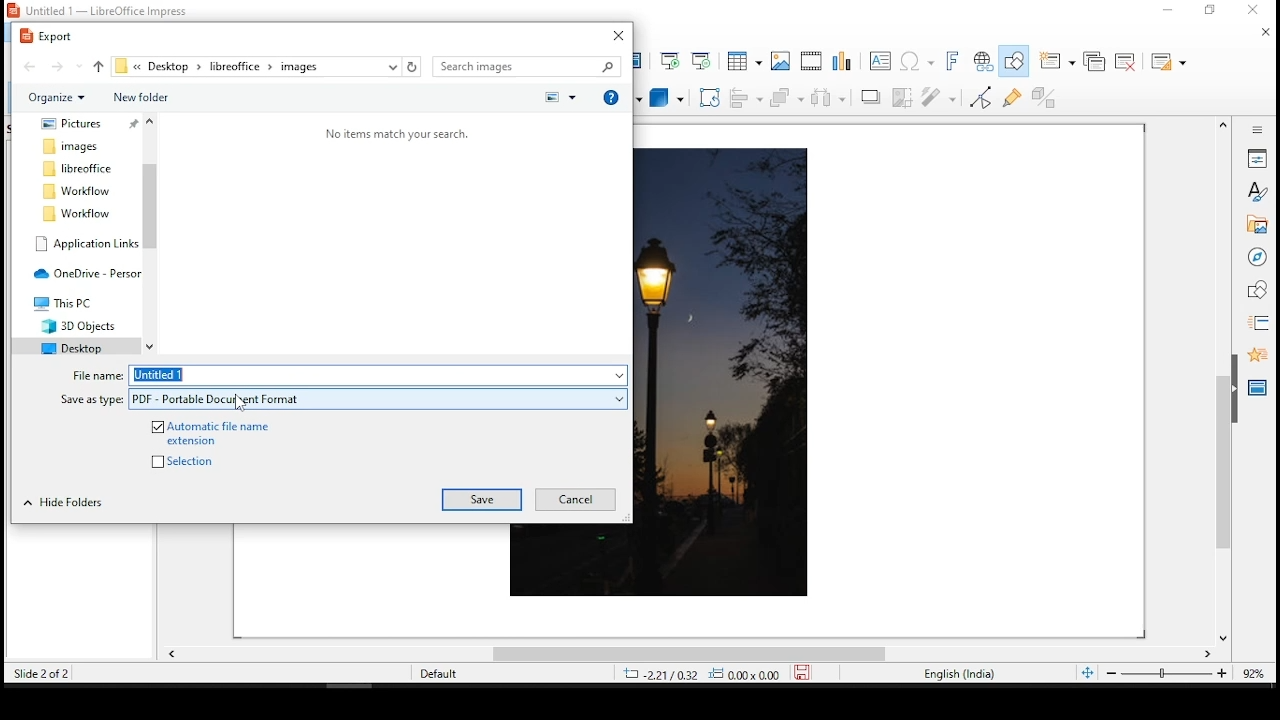 Image resolution: width=1280 pixels, height=720 pixels. I want to click on scroll bar, so click(1223, 381).